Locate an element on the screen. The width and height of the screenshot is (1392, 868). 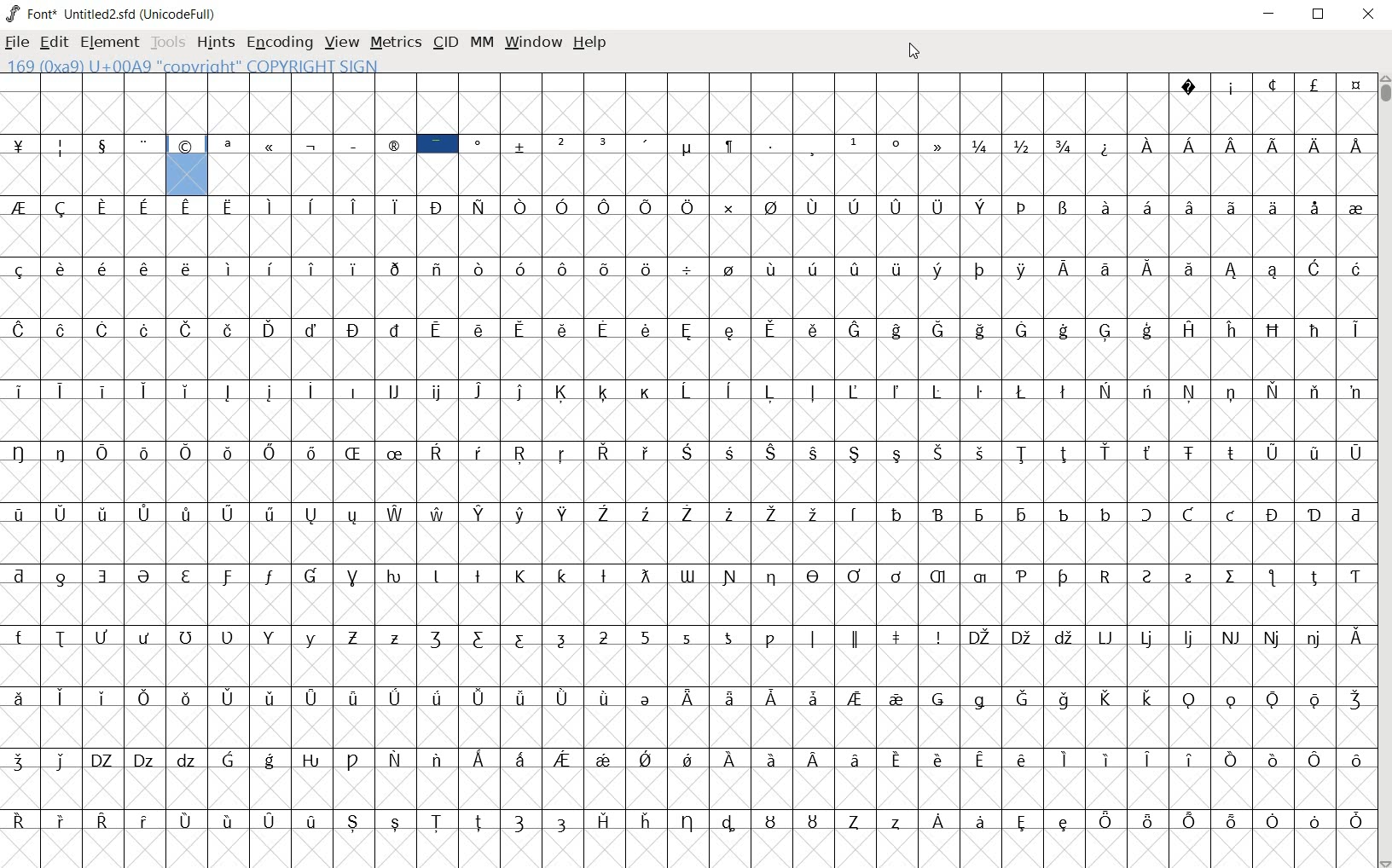
scrollbar is located at coordinates (1383, 472).